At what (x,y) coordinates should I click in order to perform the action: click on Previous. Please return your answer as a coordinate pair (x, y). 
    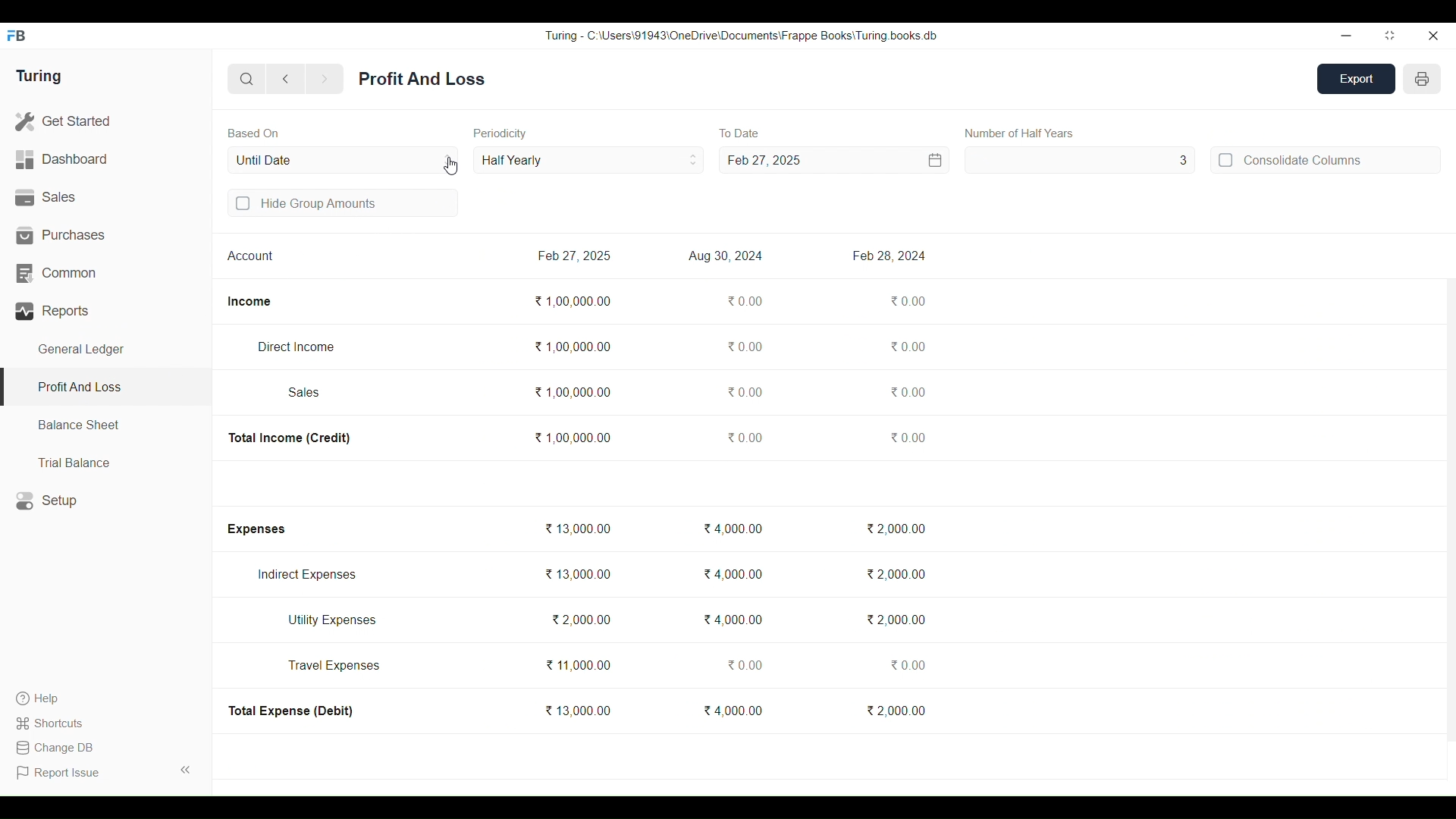
    Looking at the image, I should click on (287, 79).